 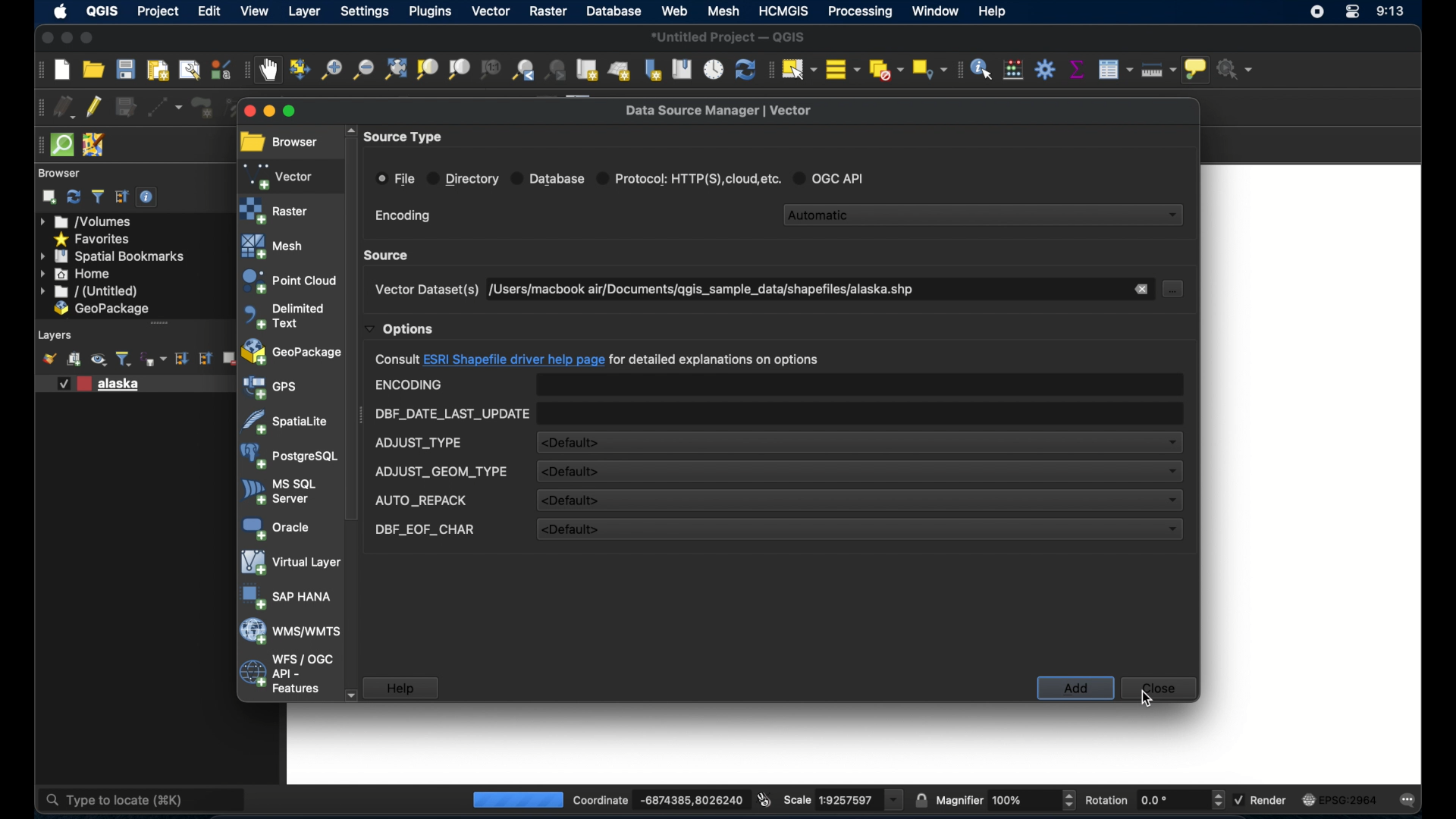 What do you see at coordinates (930, 69) in the screenshot?
I see `select by location` at bounding box center [930, 69].